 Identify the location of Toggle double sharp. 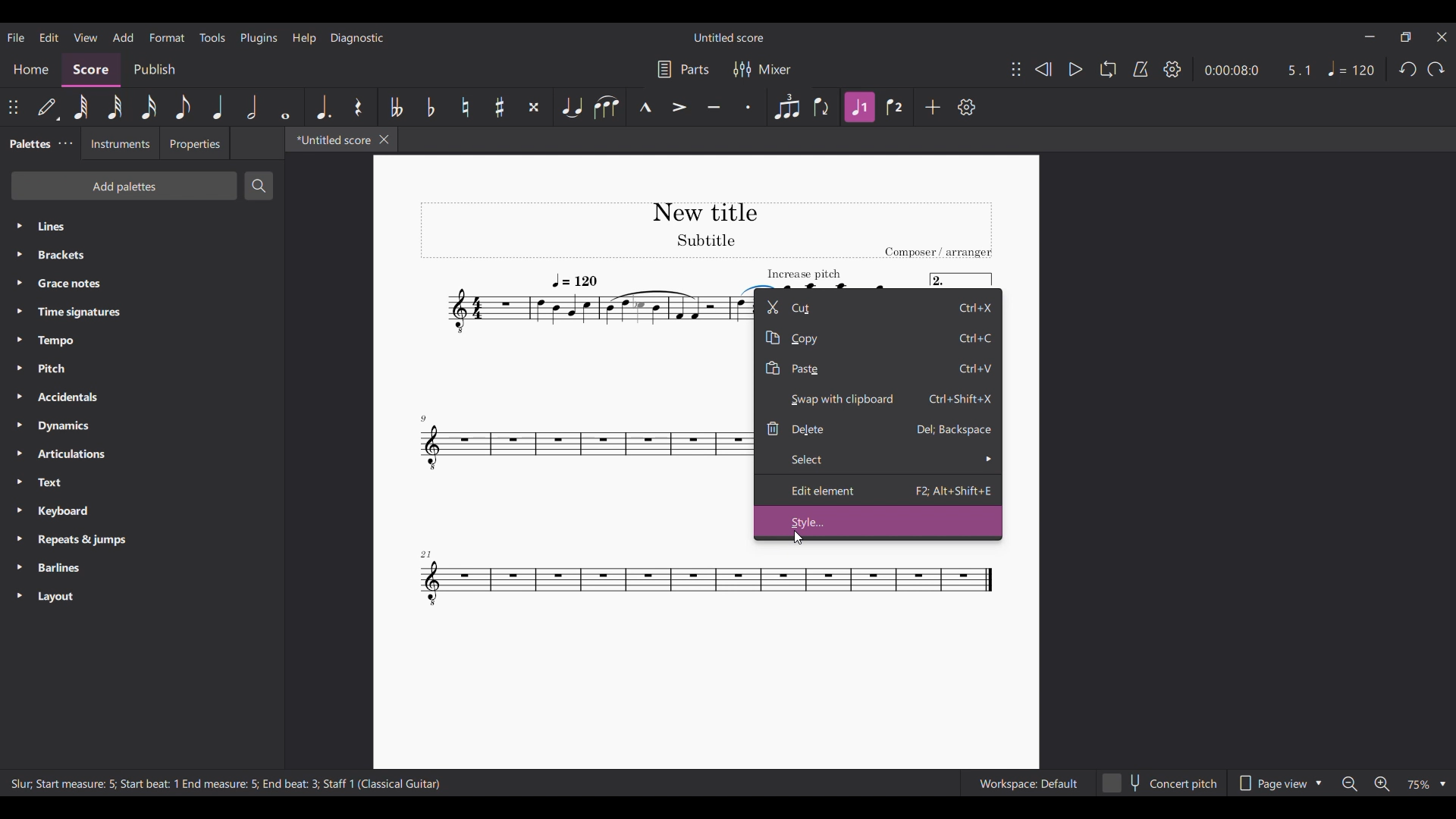
(534, 107).